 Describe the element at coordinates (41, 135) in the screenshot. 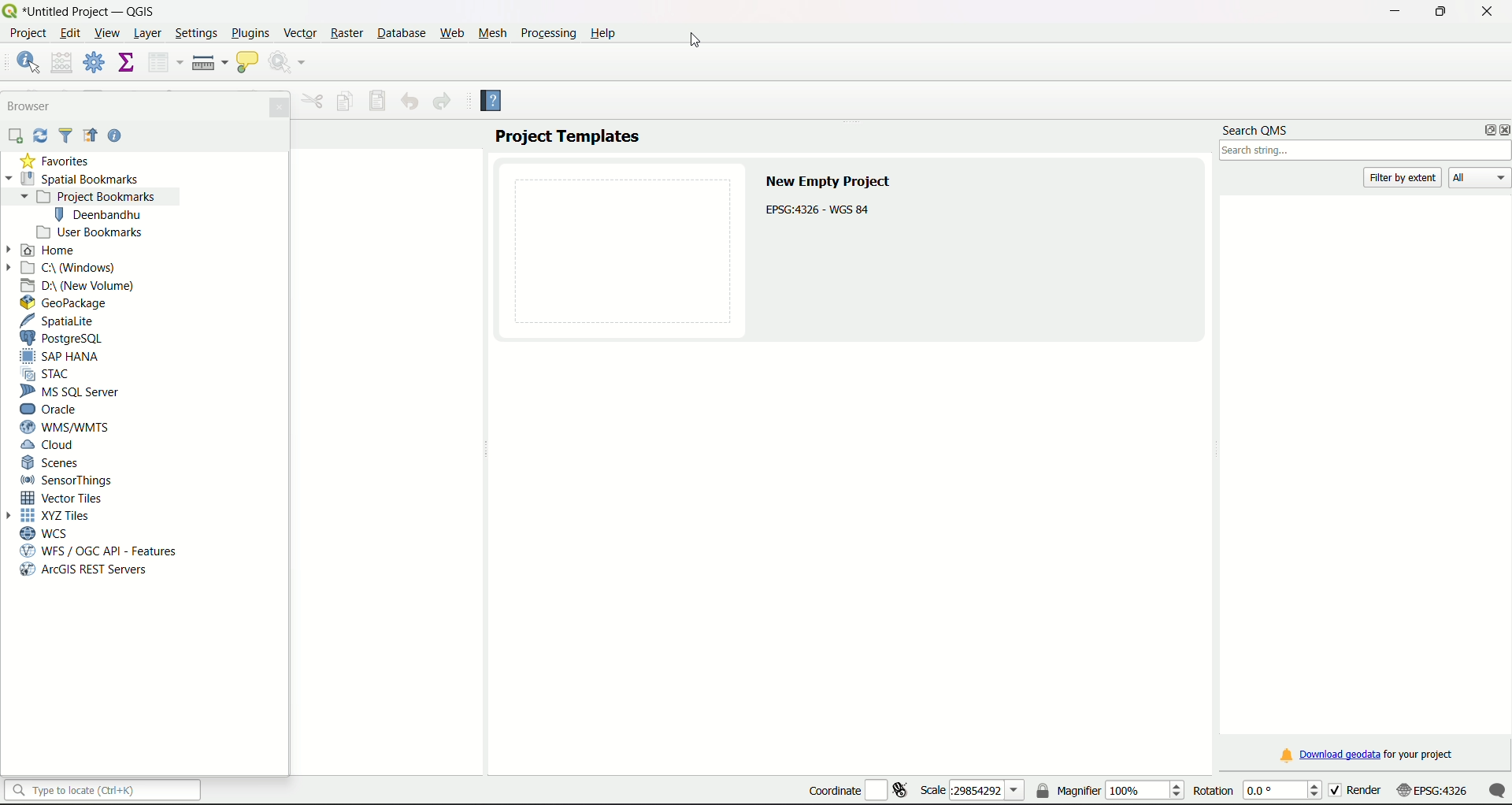

I see `Sync` at that location.